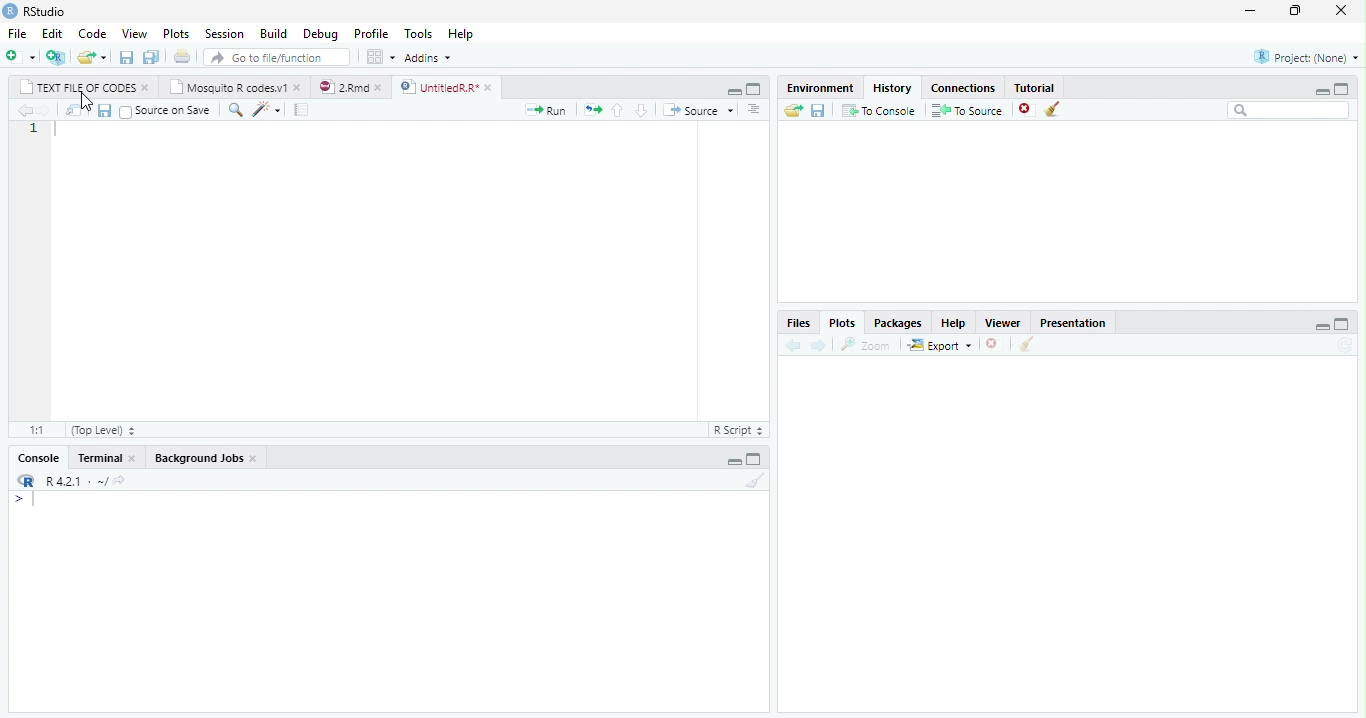  I want to click on project (none), so click(1306, 55).